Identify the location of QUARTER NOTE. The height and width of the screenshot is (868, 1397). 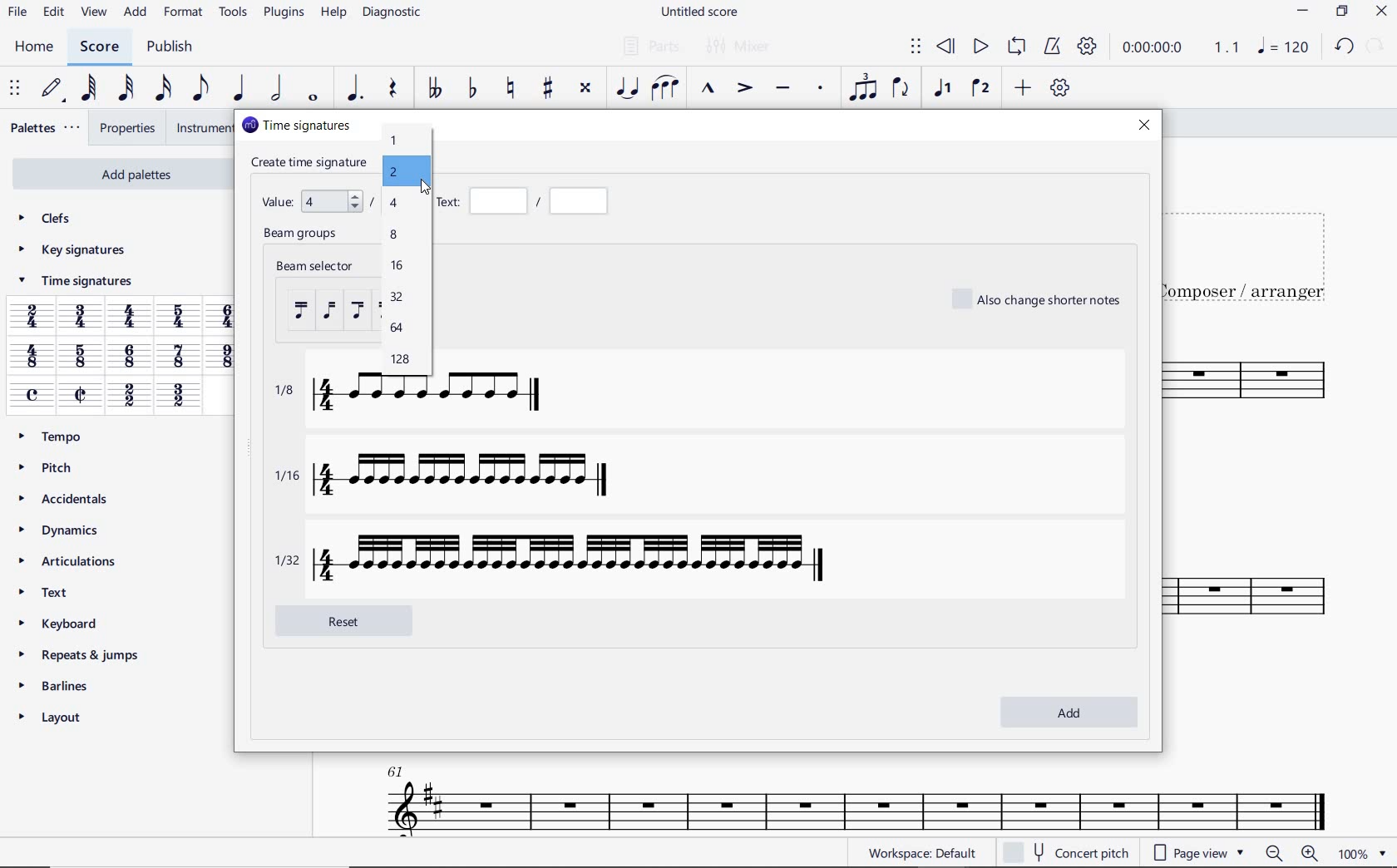
(239, 88).